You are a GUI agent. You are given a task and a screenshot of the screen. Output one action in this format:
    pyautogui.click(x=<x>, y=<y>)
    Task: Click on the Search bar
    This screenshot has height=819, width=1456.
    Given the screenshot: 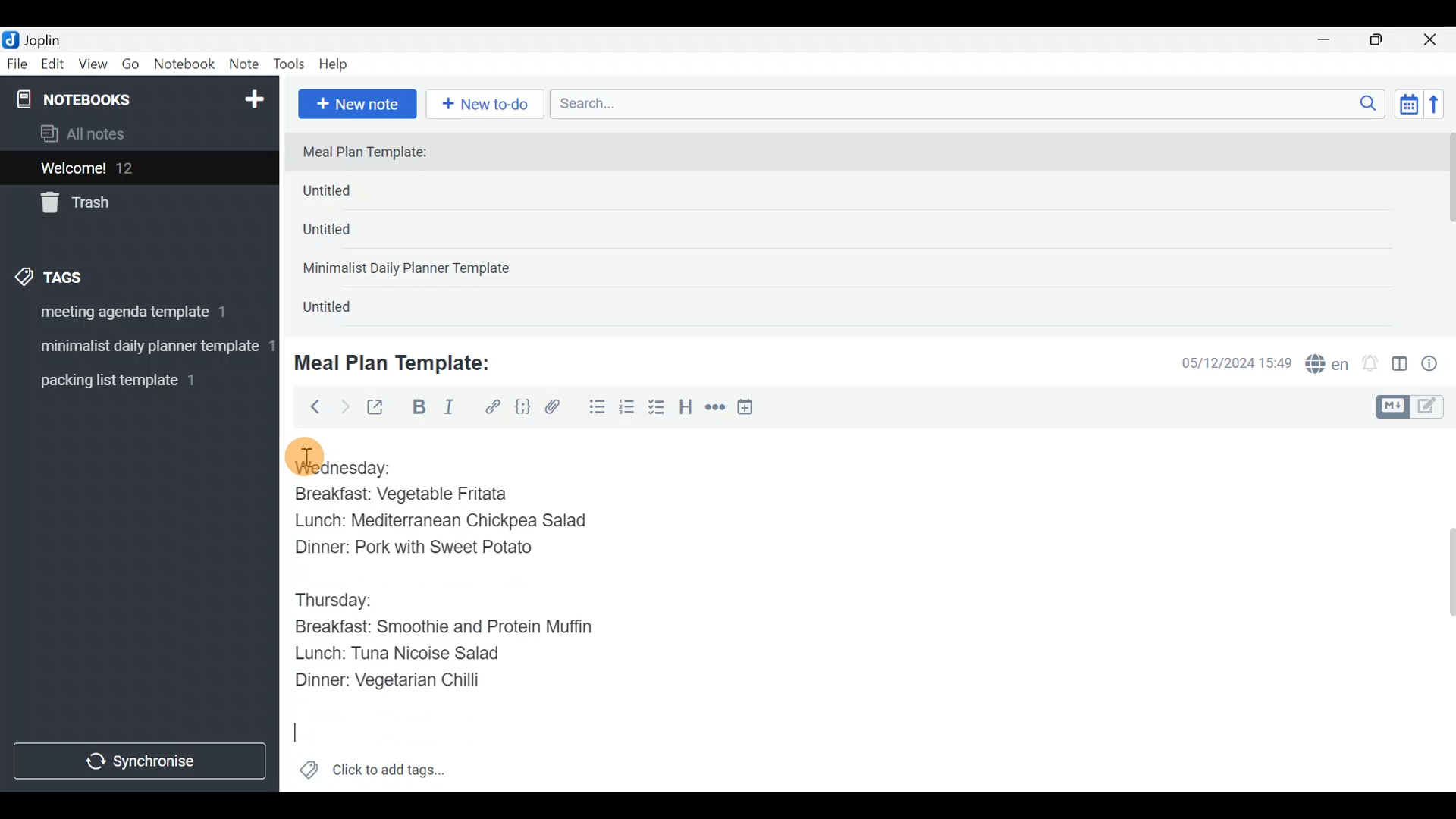 What is the action you would take?
    pyautogui.click(x=971, y=102)
    